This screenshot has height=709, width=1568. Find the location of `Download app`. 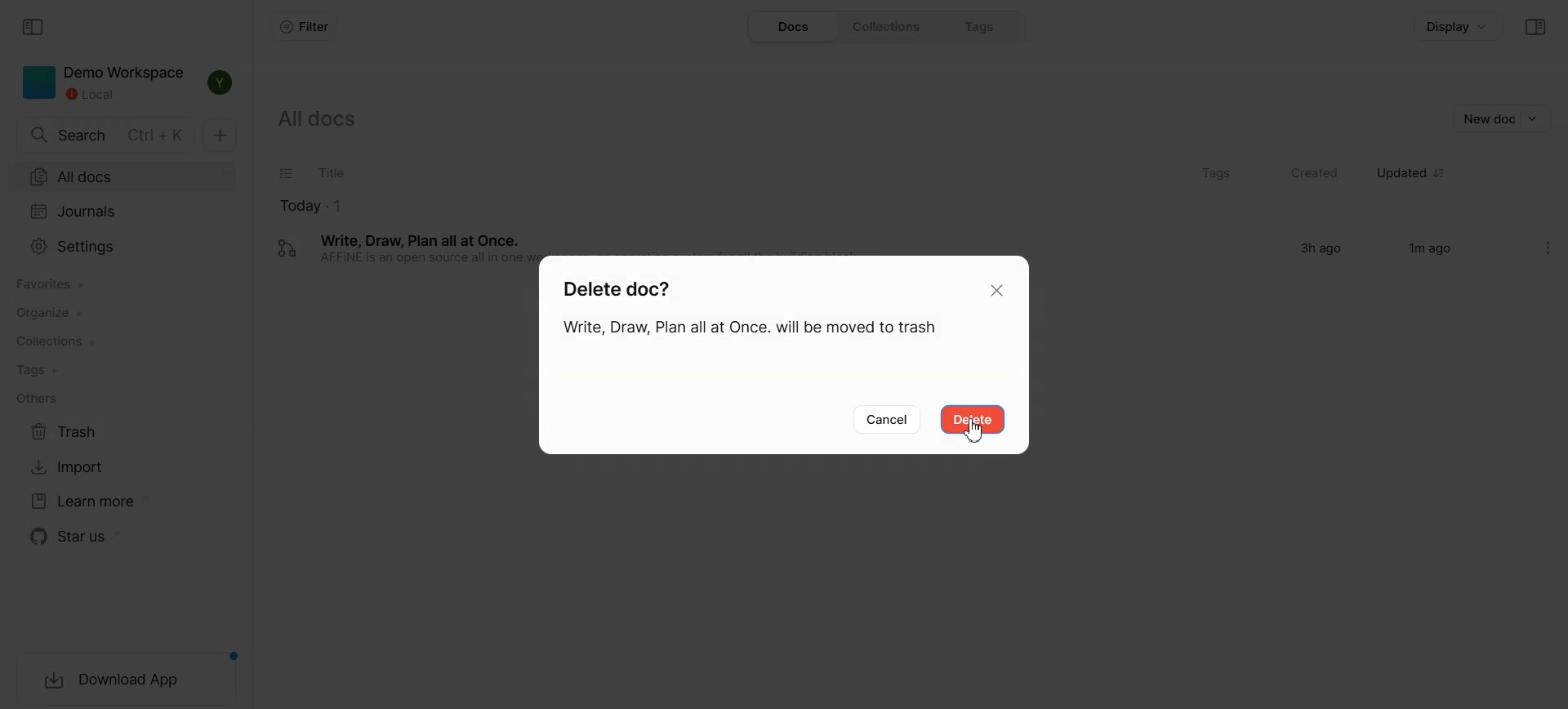

Download app is located at coordinates (127, 680).